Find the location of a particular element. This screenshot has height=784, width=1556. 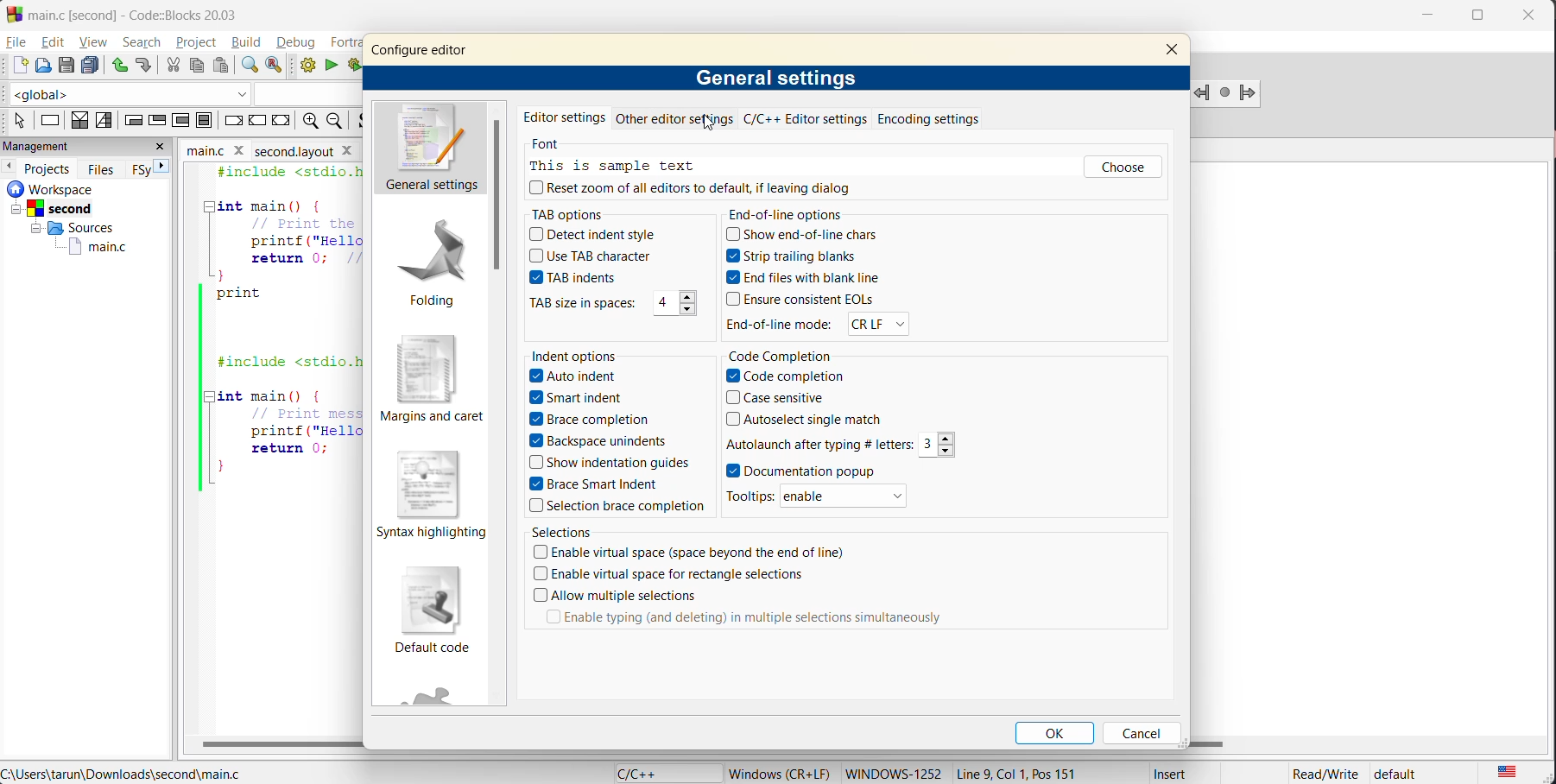

save is located at coordinates (66, 66).